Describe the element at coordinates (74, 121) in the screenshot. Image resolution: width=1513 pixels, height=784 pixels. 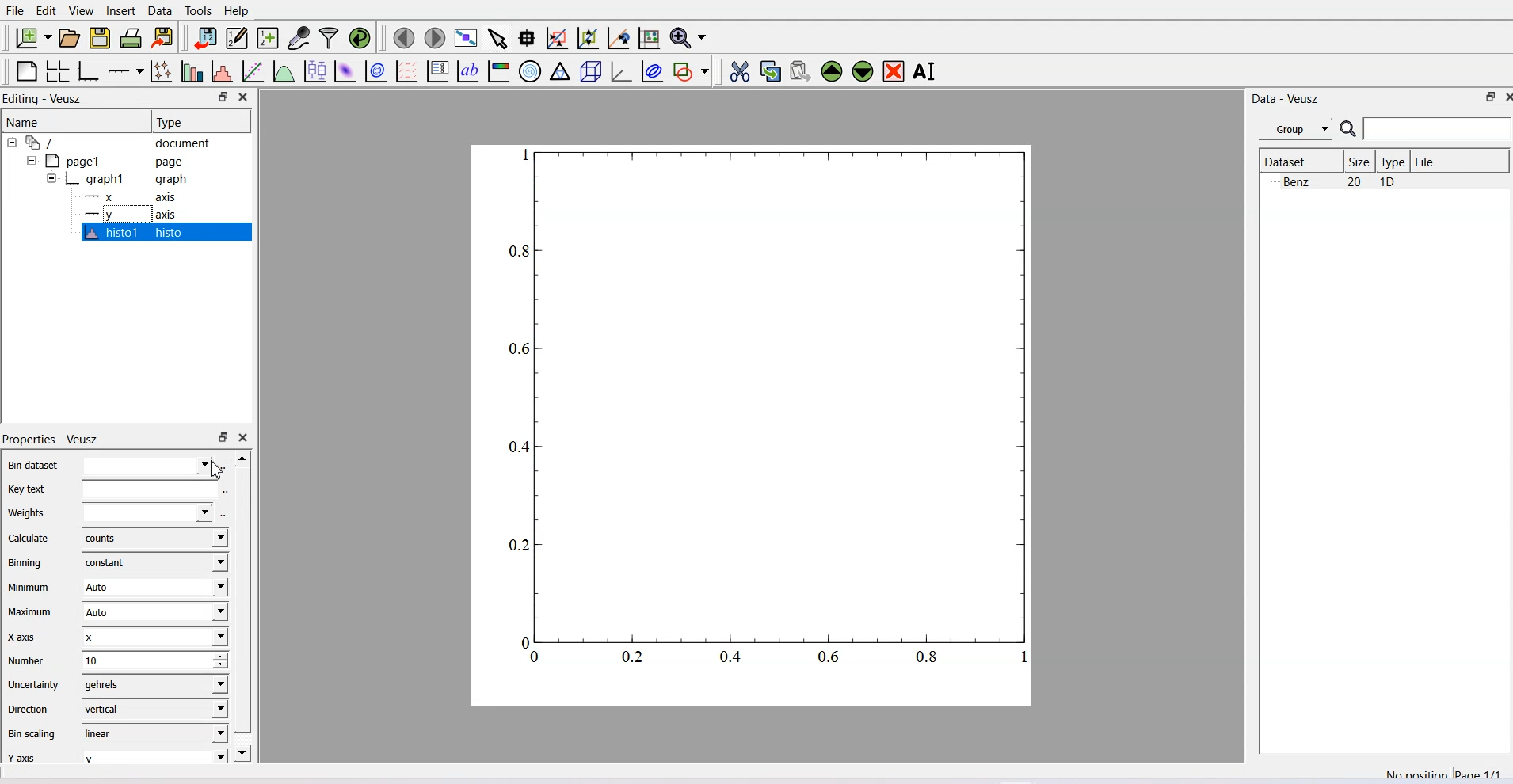
I see `Name` at that location.